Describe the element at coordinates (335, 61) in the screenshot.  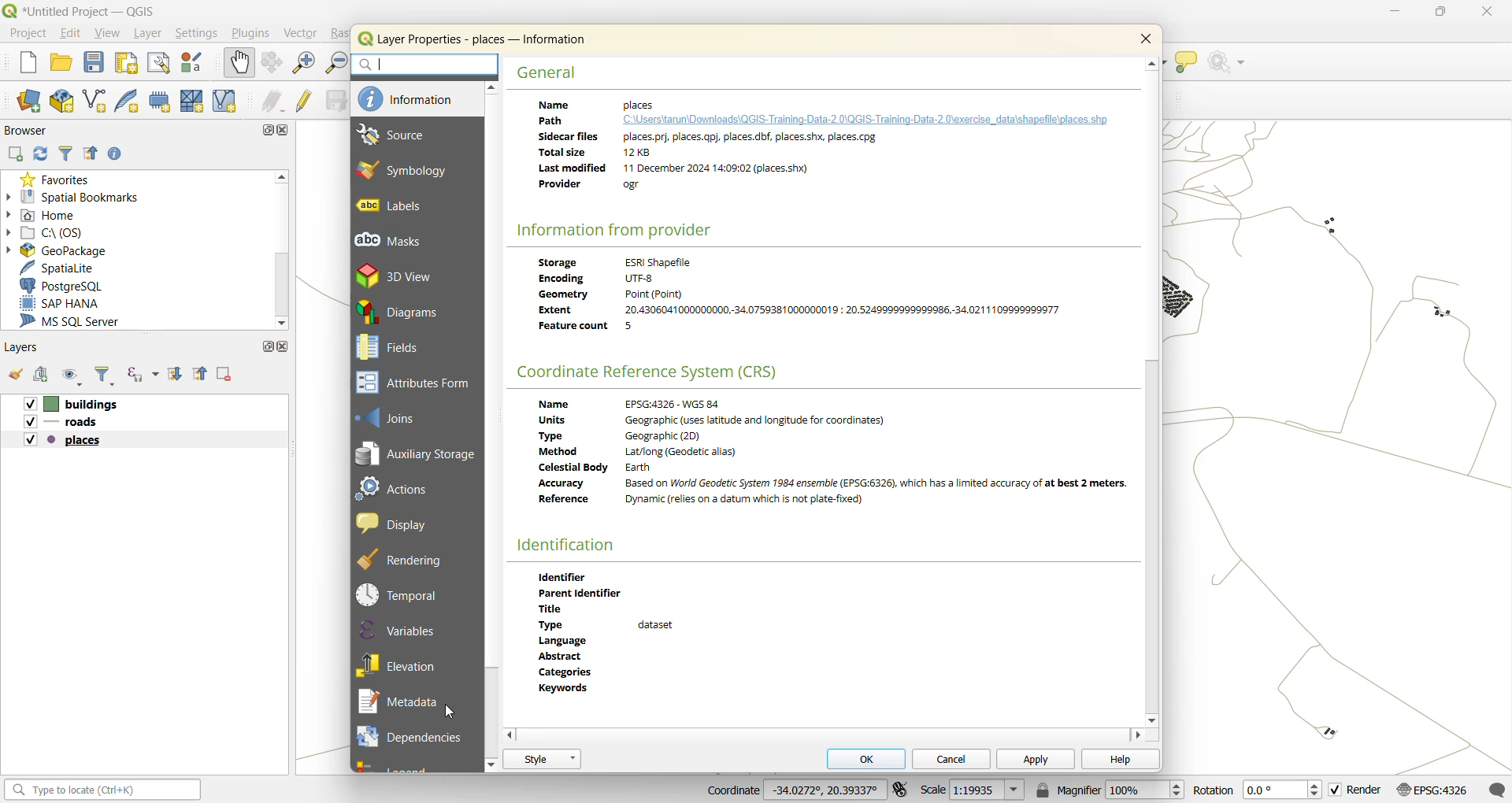
I see `zoom out` at that location.